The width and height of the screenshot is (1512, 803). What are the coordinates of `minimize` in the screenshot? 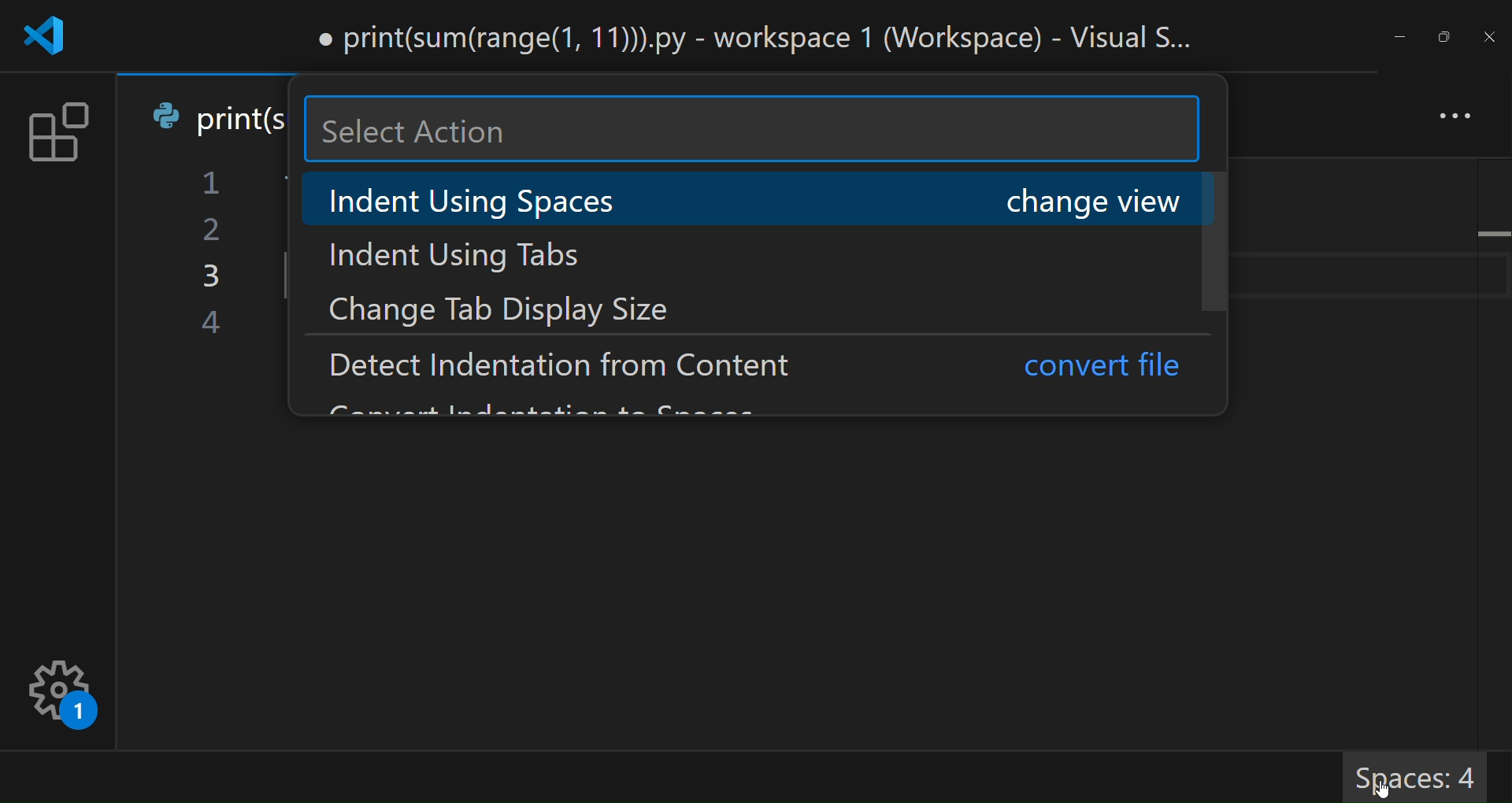 It's located at (1398, 37).